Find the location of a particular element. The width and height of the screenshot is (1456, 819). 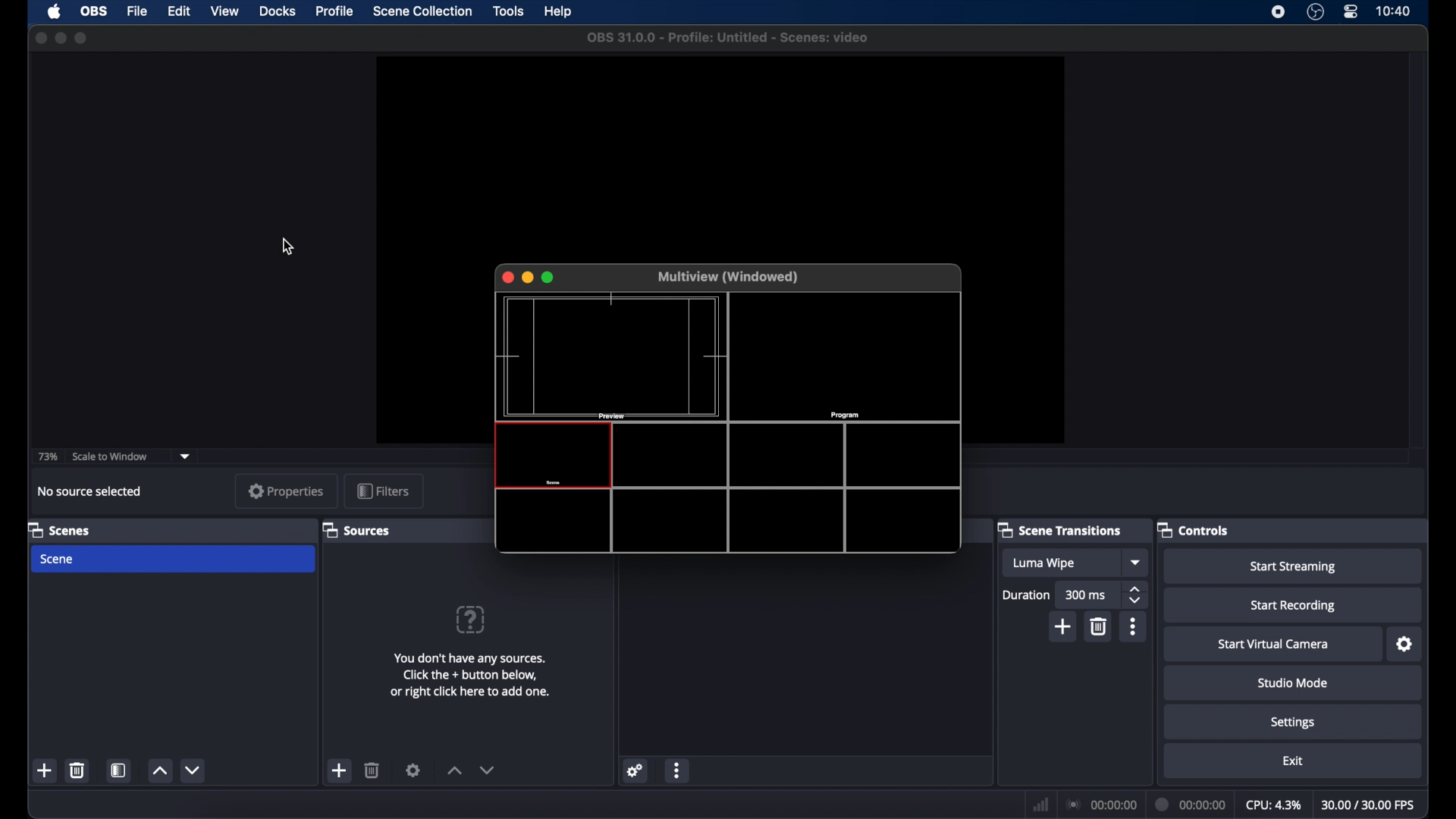

scene collection is located at coordinates (422, 11).